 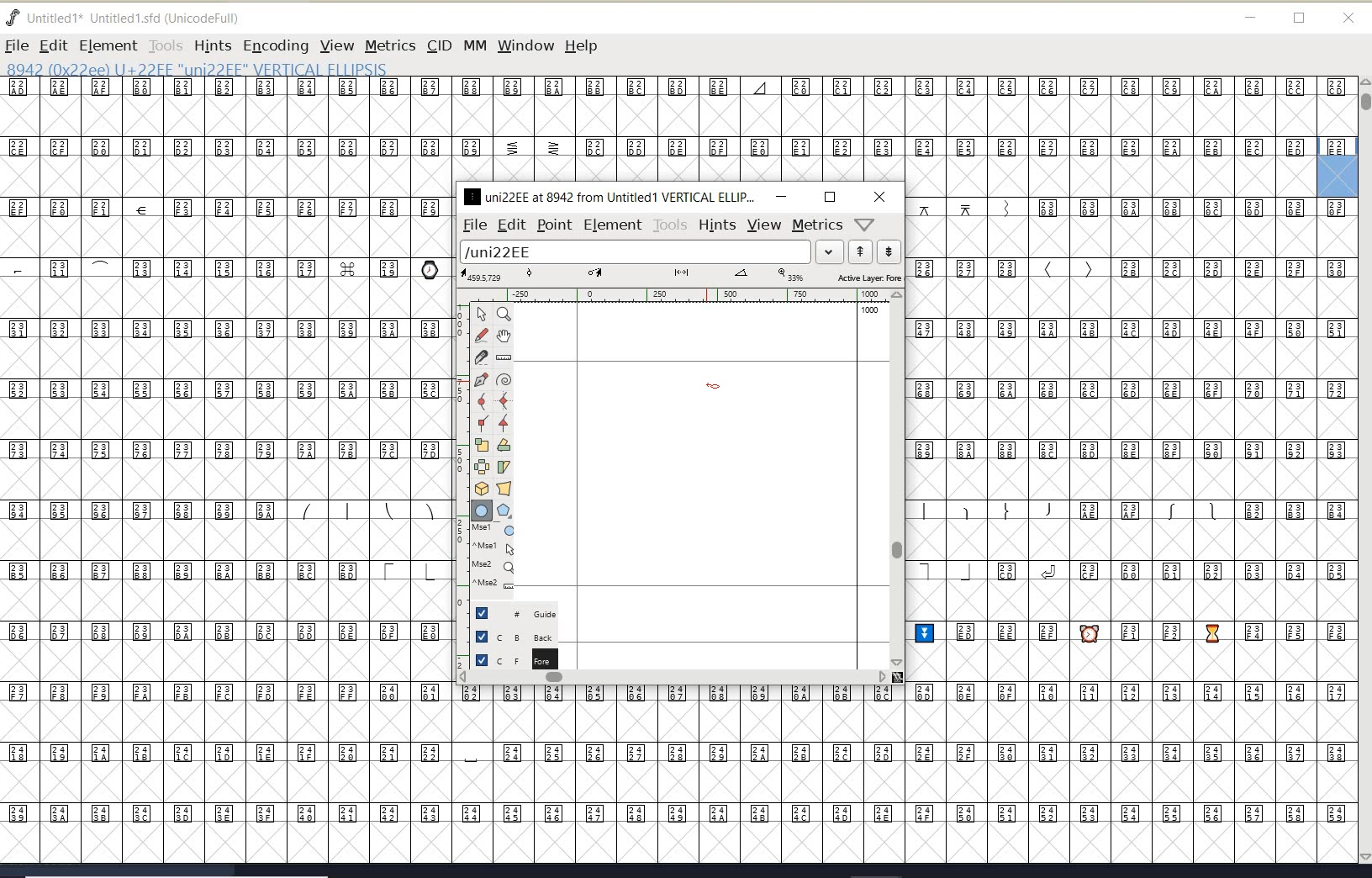 I want to click on cut splines in two, so click(x=481, y=357).